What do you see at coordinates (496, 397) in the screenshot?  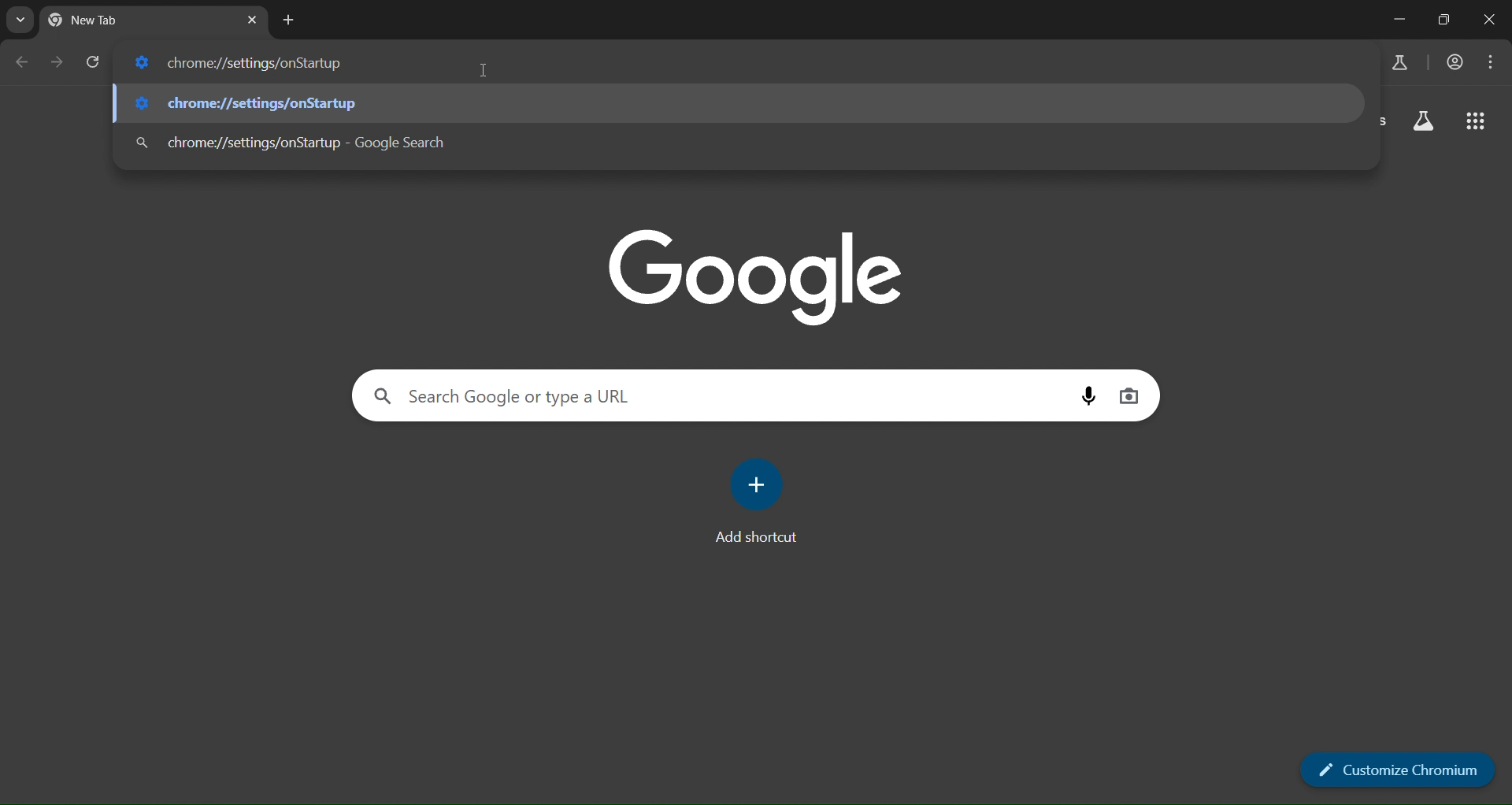 I see `search panel` at bounding box center [496, 397].